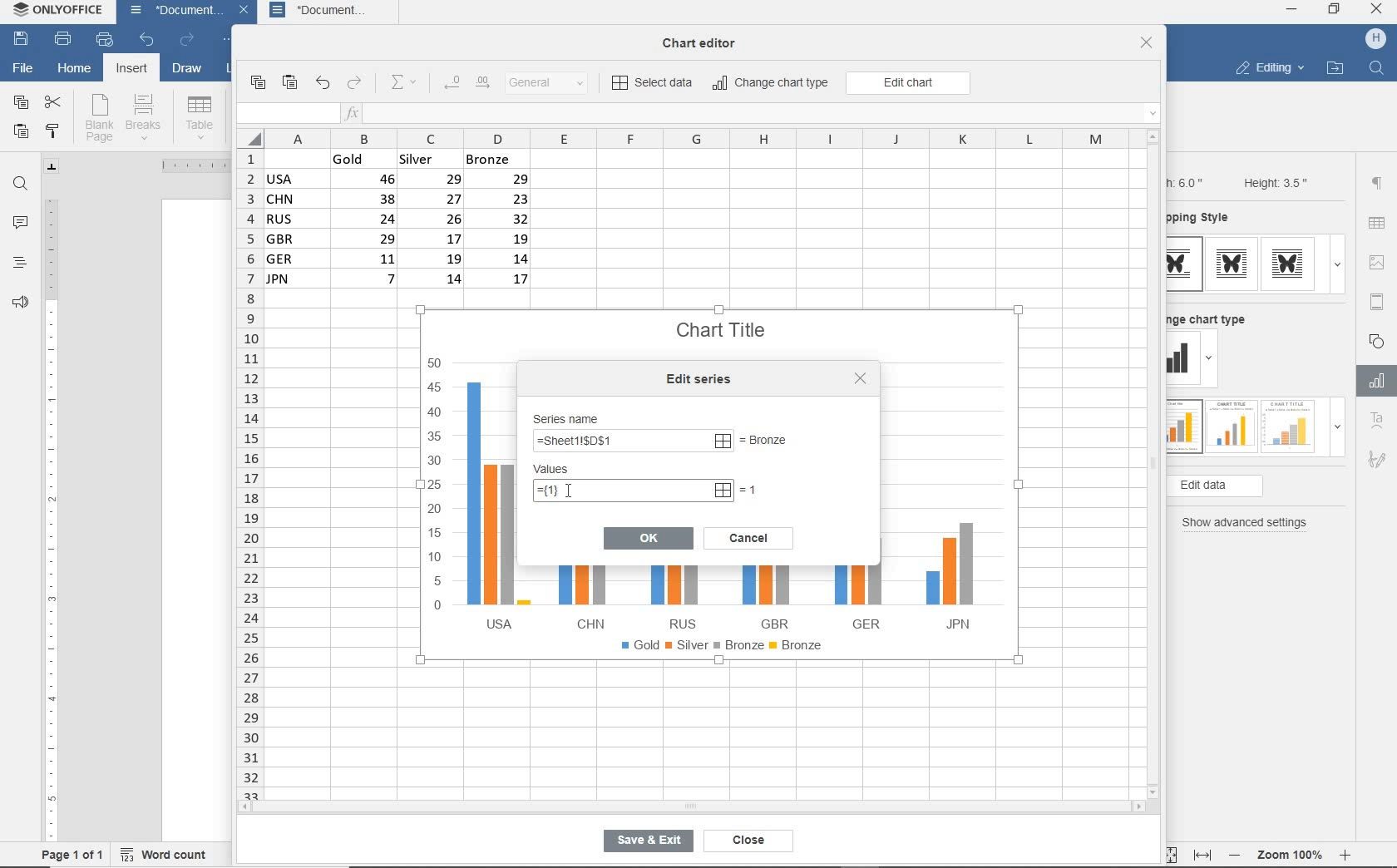  What do you see at coordinates (1375, 422) in the screenshot?
I see `Text Art Settings` at bounding box center [1375, 422].